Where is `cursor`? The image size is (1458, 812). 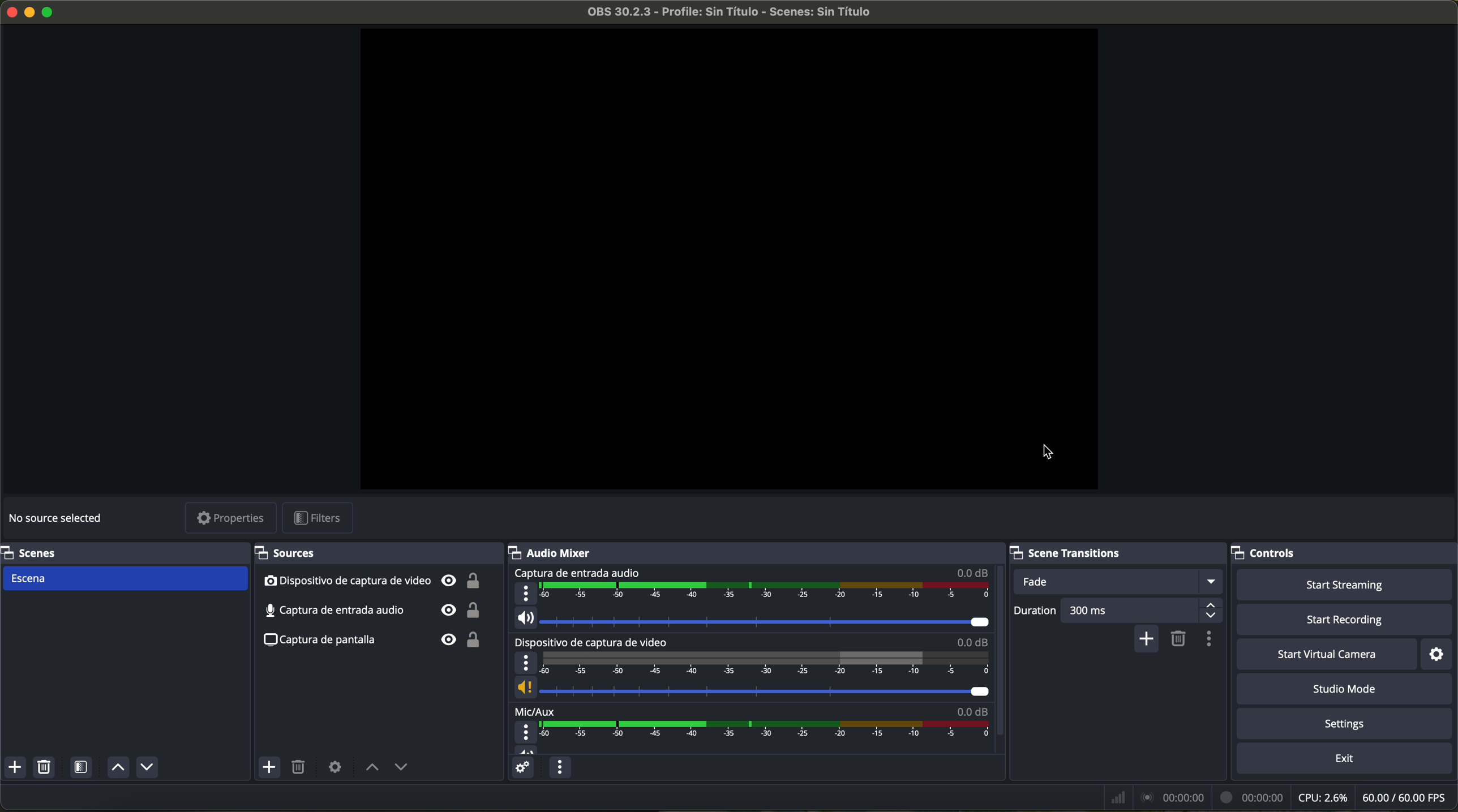
cursor is located at coordinates (1049, 450).